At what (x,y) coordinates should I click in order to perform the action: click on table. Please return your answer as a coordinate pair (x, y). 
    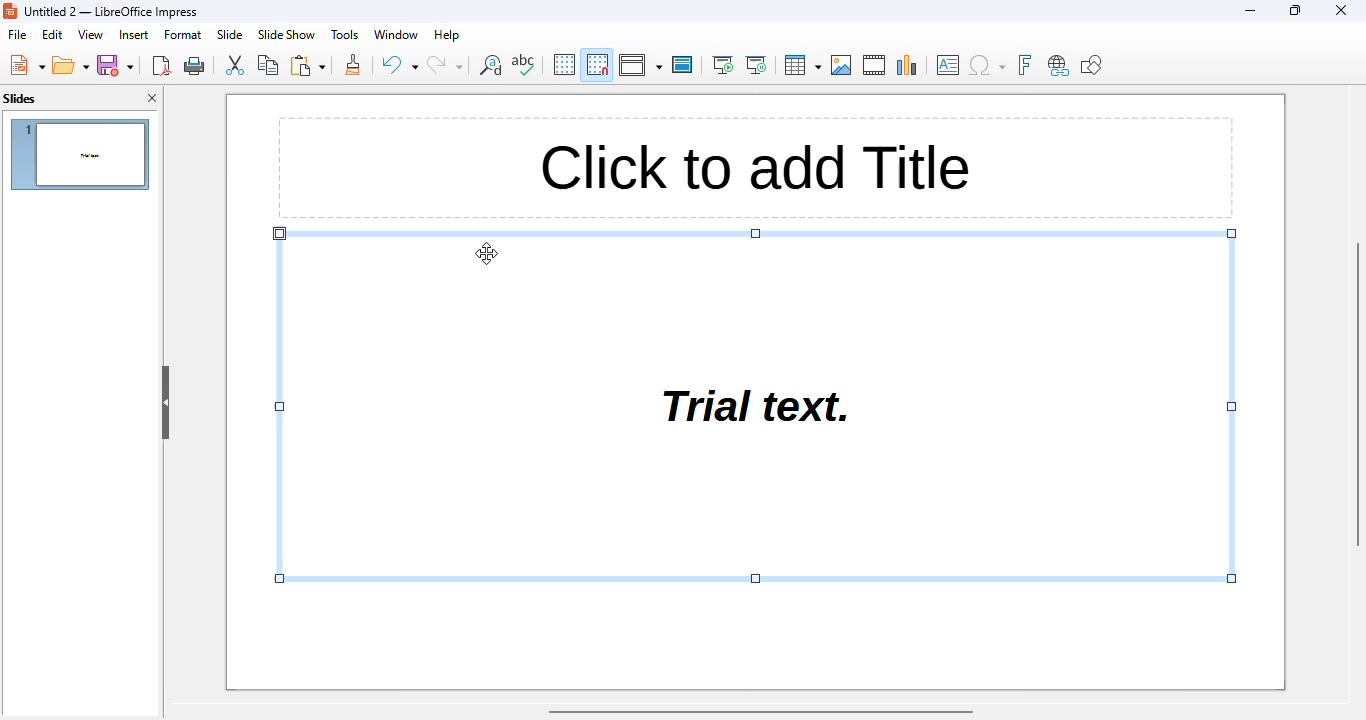
    Looking at the image, I should click on (802, 64).